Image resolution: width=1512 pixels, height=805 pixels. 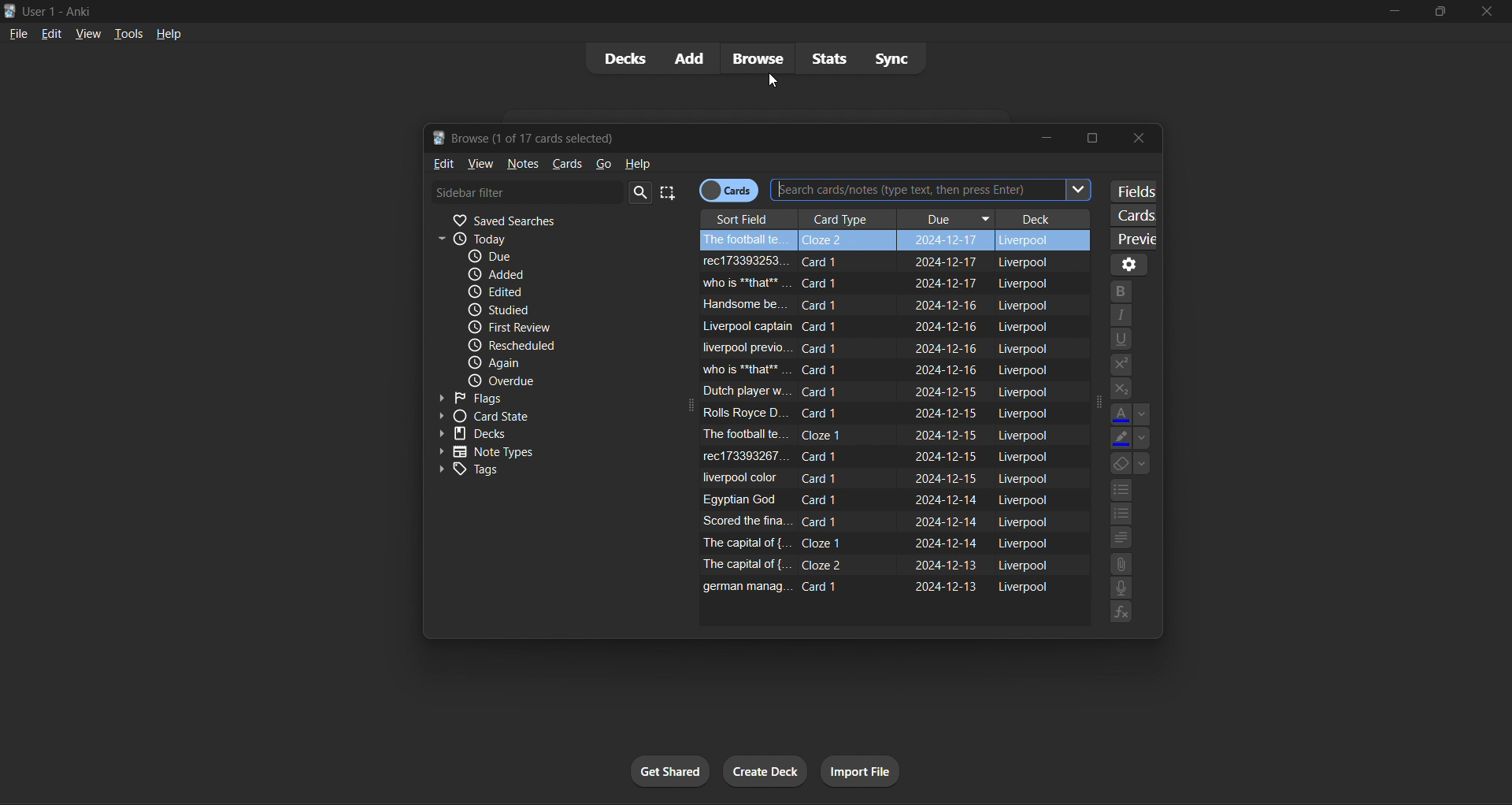 What do you see at coordinates (826, 371) in the screenshot?
I see `card 1` at bounding box center [826, 371].